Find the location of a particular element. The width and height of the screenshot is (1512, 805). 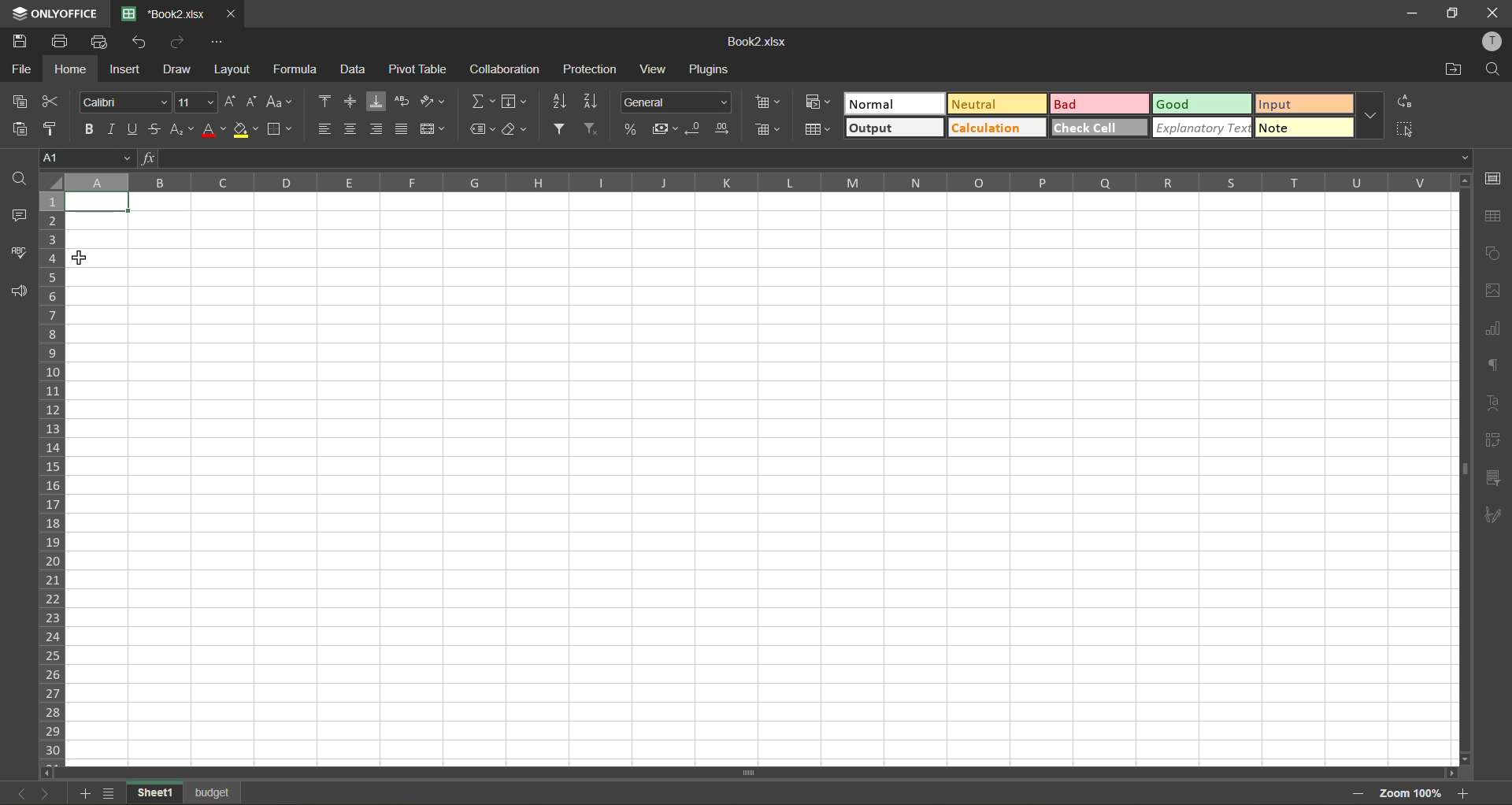

sort descending is located at coordinates (594, 100).